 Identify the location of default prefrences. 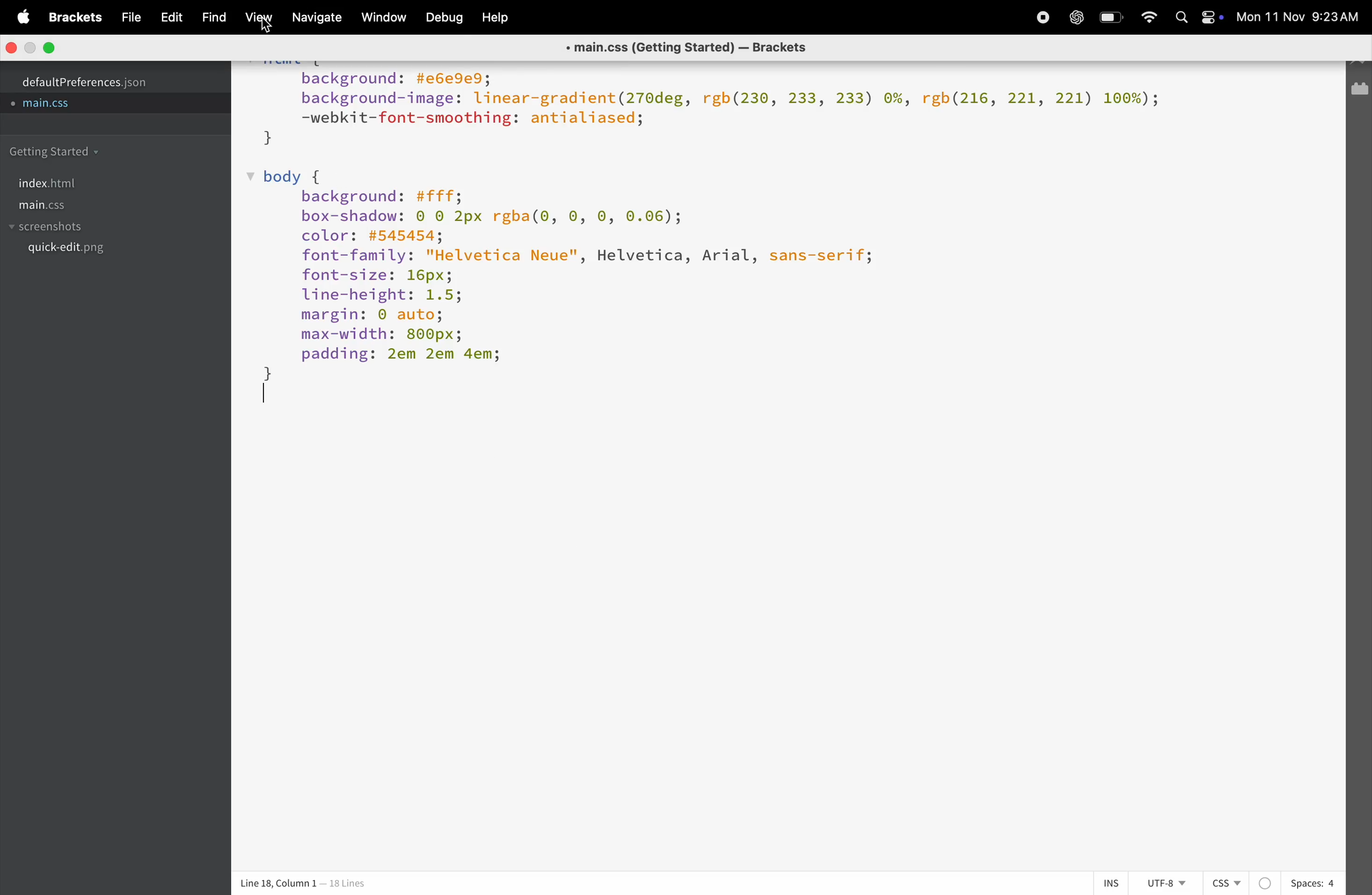
(92, 80).